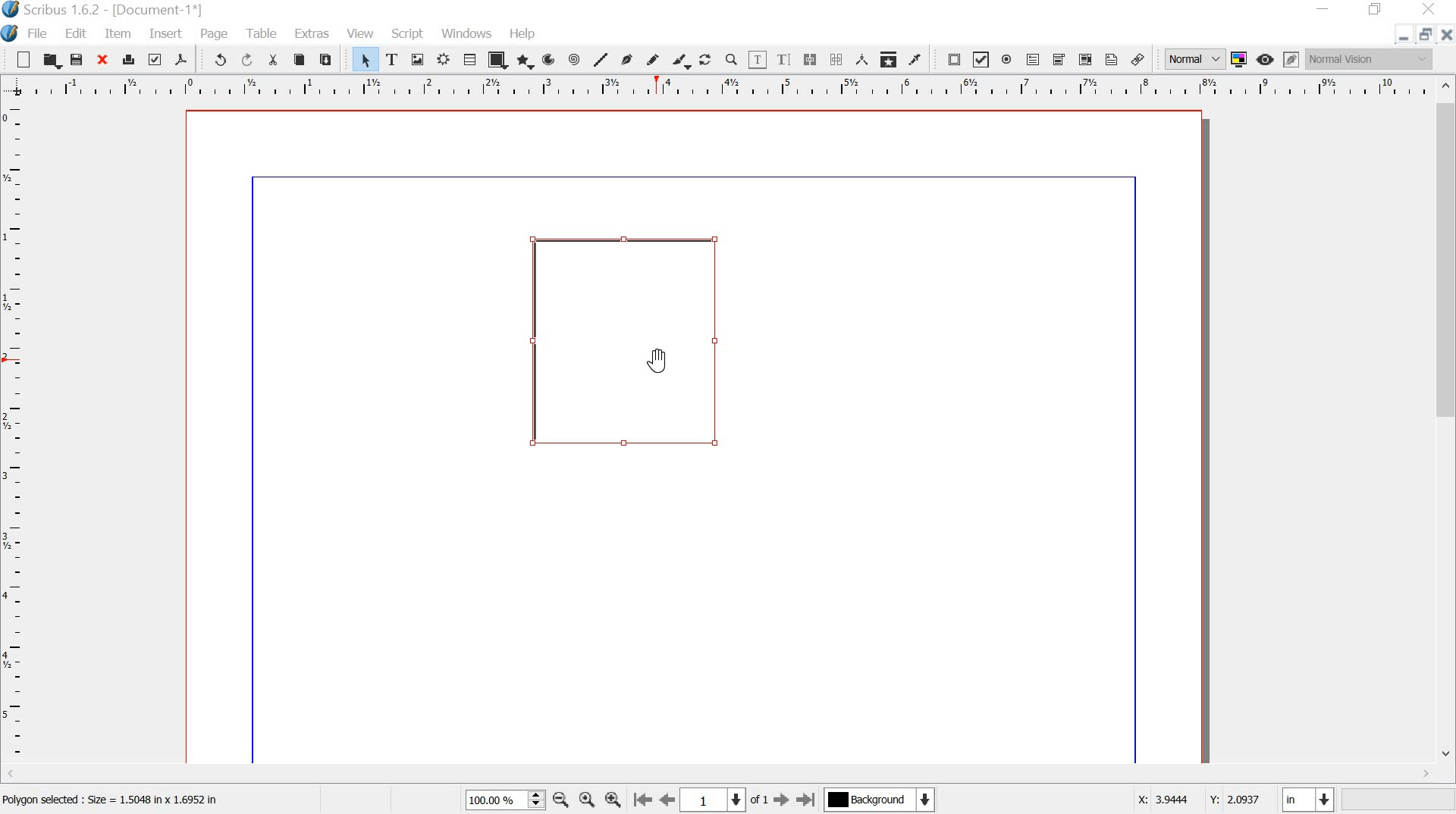  I want to click on go to last page, so click(808, 799).